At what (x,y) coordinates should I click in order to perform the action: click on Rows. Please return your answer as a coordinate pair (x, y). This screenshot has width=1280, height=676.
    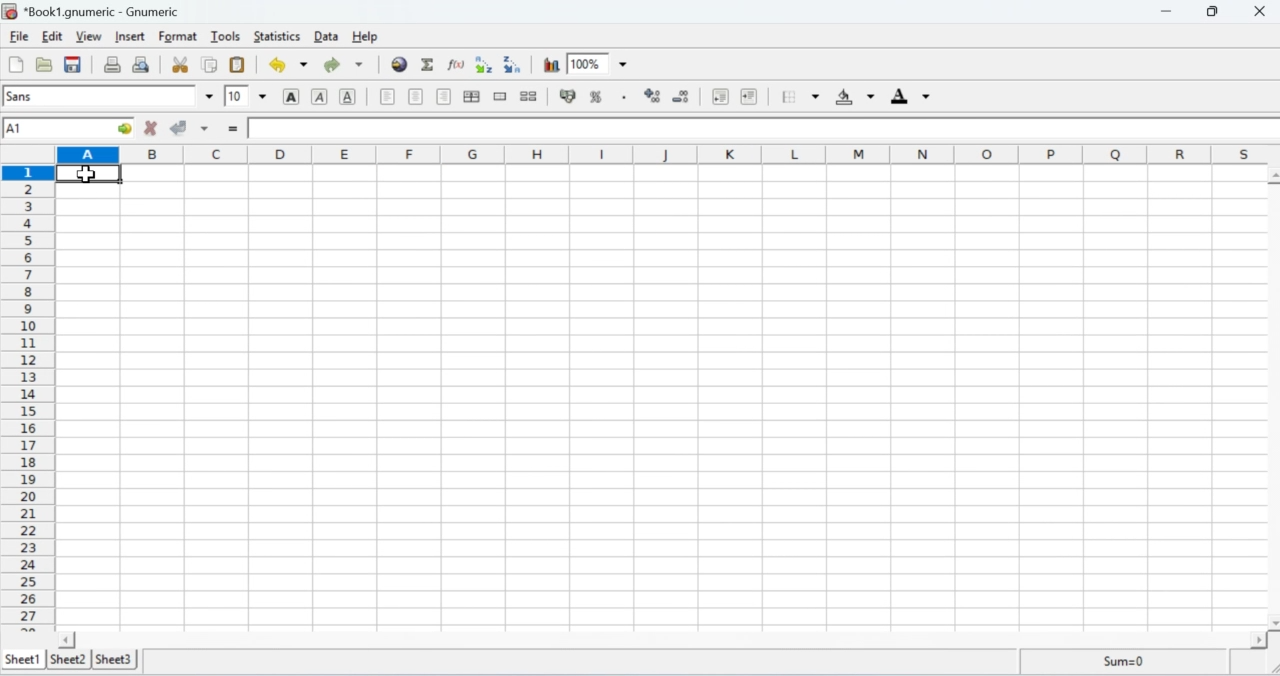
    Looking at the image, I should click on (28, 397).